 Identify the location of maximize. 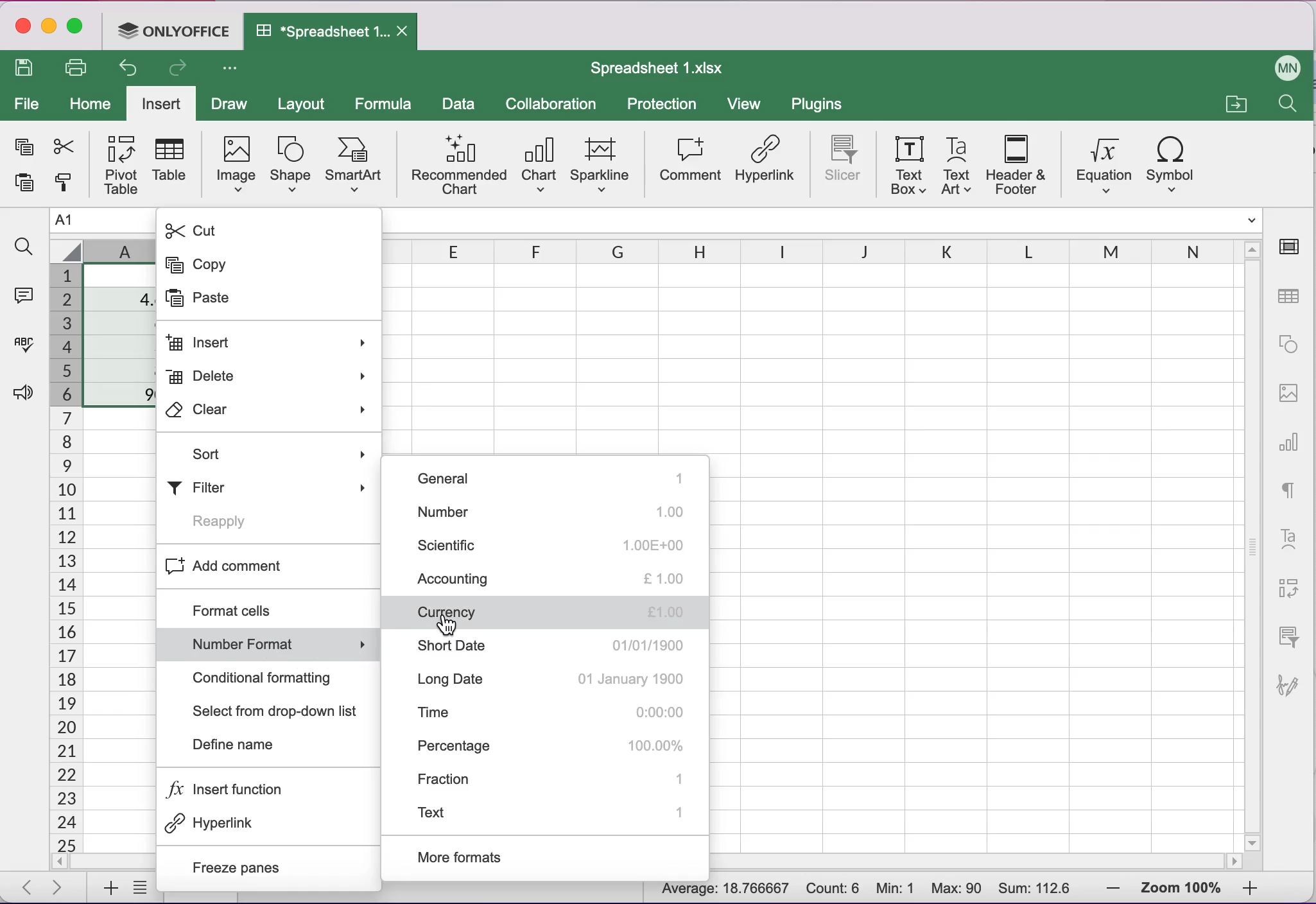
(76, 30).